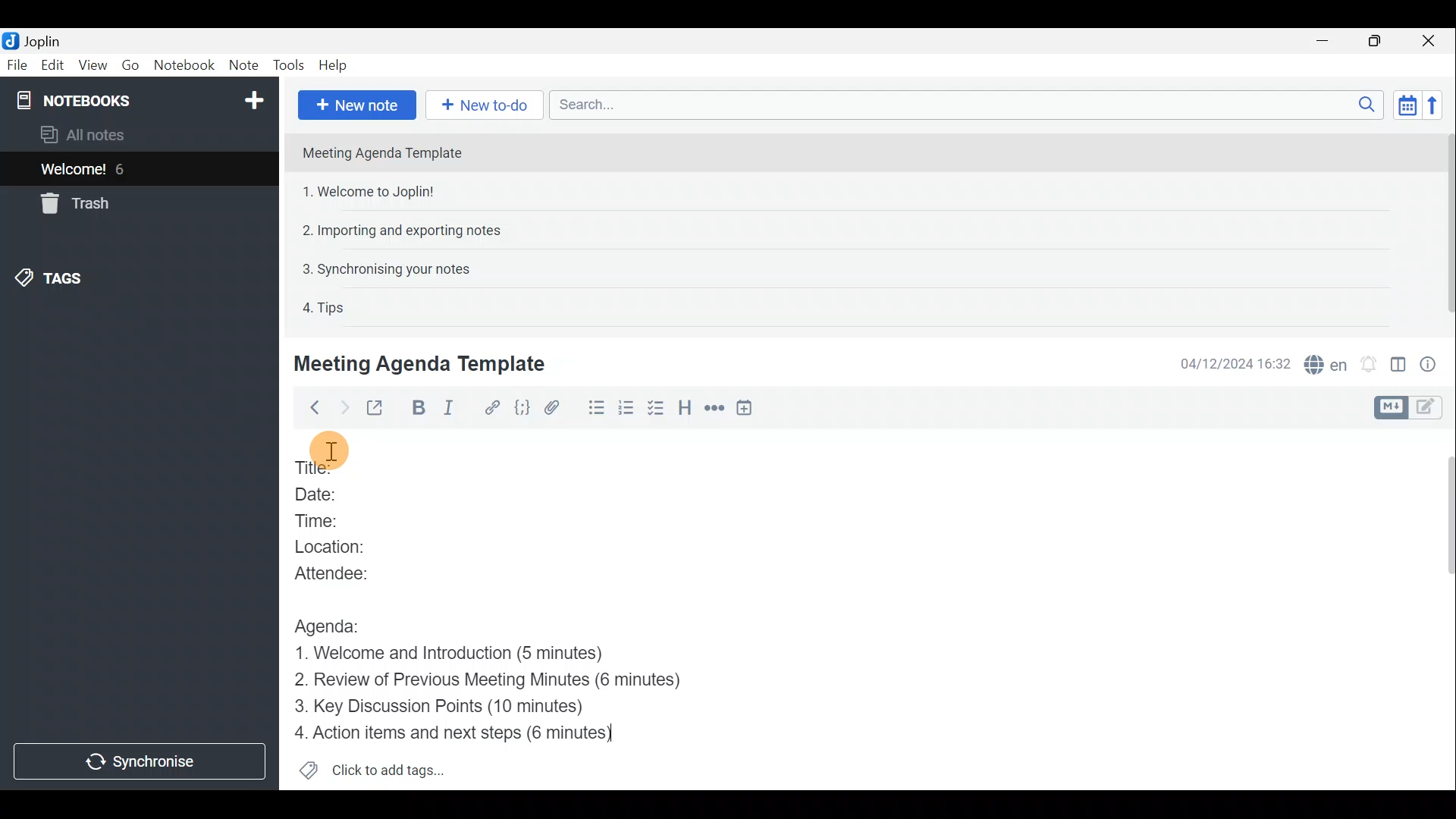 This screenshot has height=819, width=1456. Describe the element at coordinates (1404, 103) in the screenshot. I see `Toggle sort order` at that location.